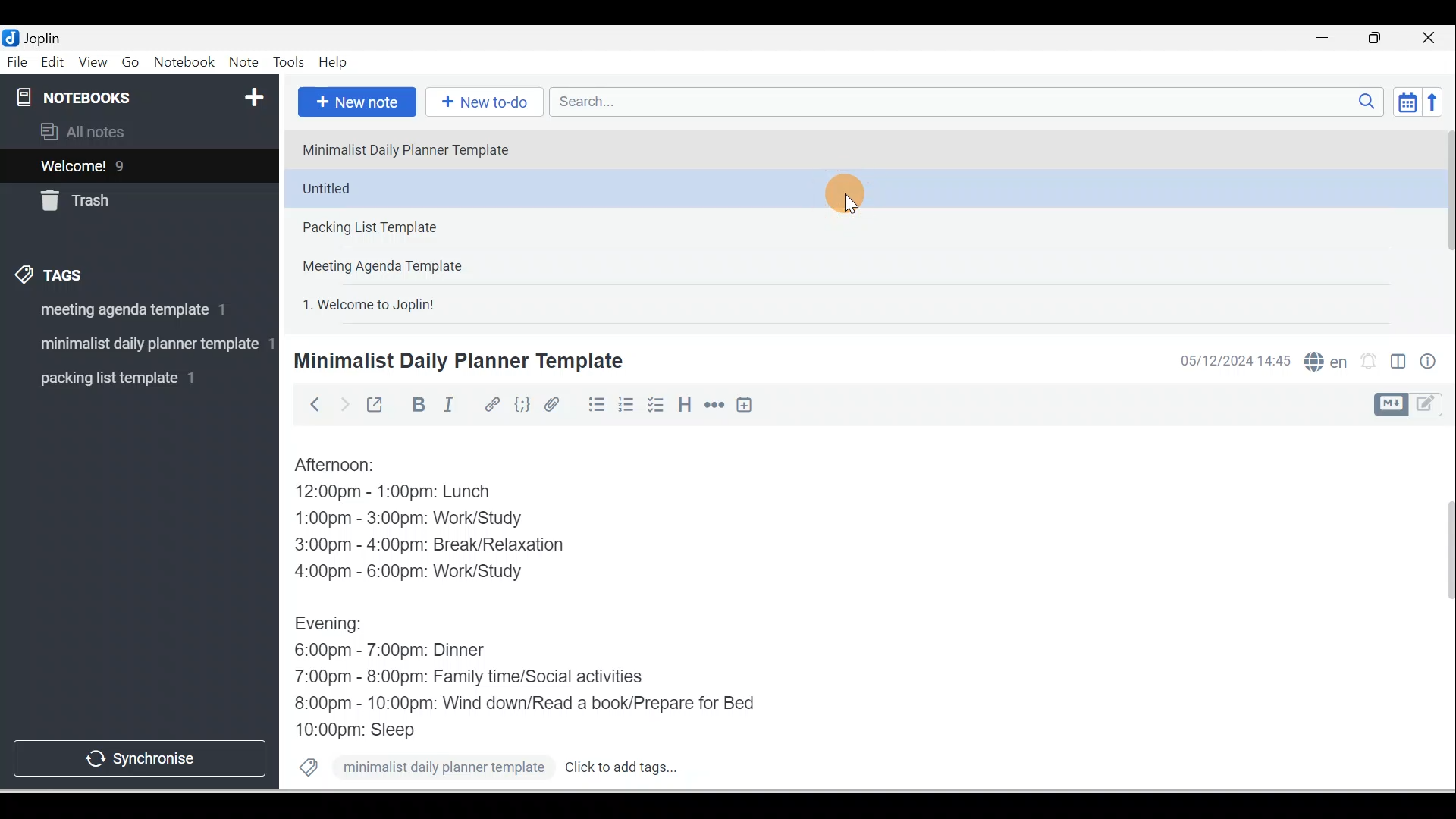  Describe the element at coordinates (401, 188) in the screenshot. I see `Note 2` at that location.